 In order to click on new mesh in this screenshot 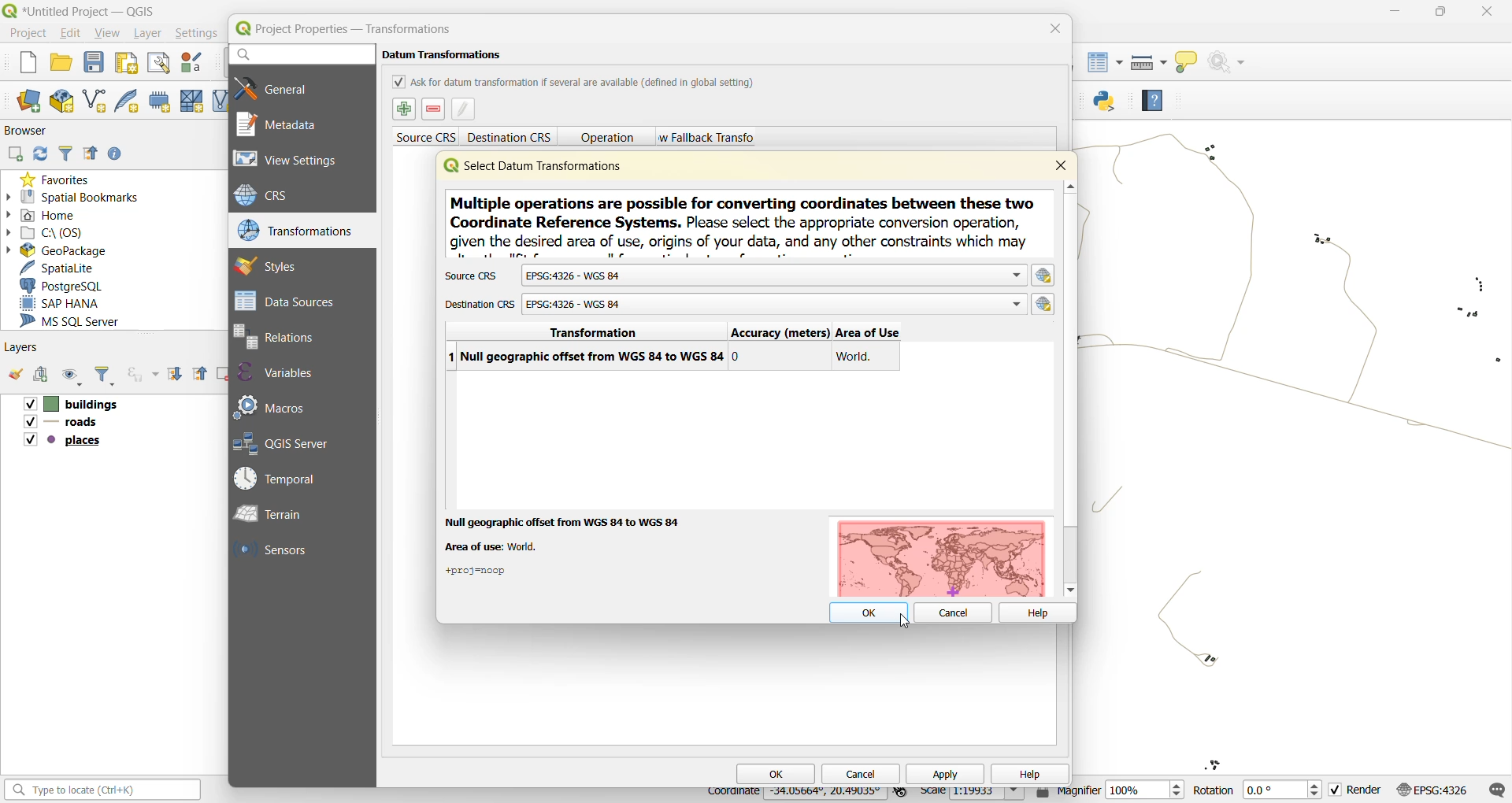, I will do `click(190, 101)`.